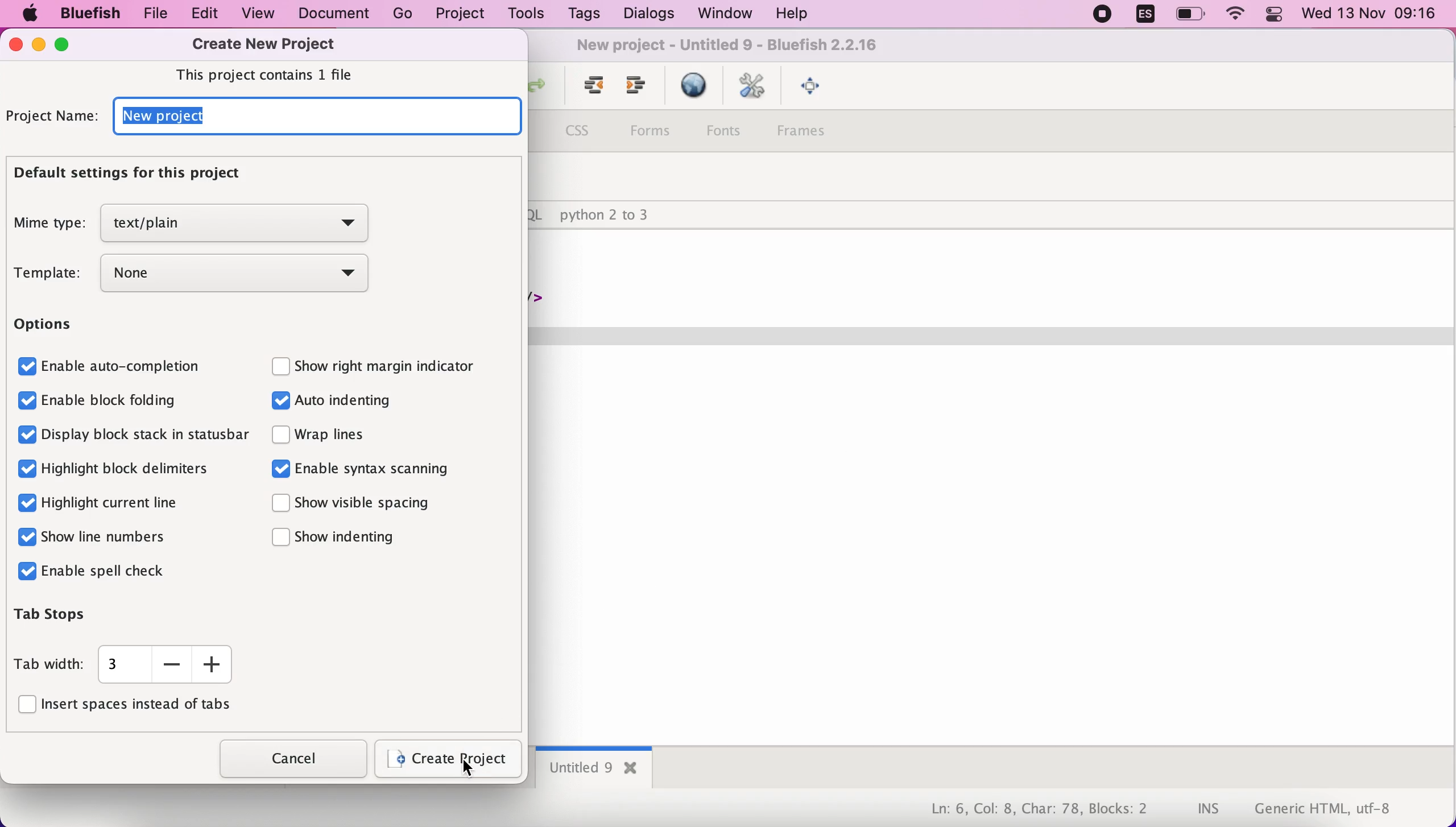 This screenshot has width=1456, height=827. Describe the element at coordinates (134, 438) in the screenshot. I see `` at that location.